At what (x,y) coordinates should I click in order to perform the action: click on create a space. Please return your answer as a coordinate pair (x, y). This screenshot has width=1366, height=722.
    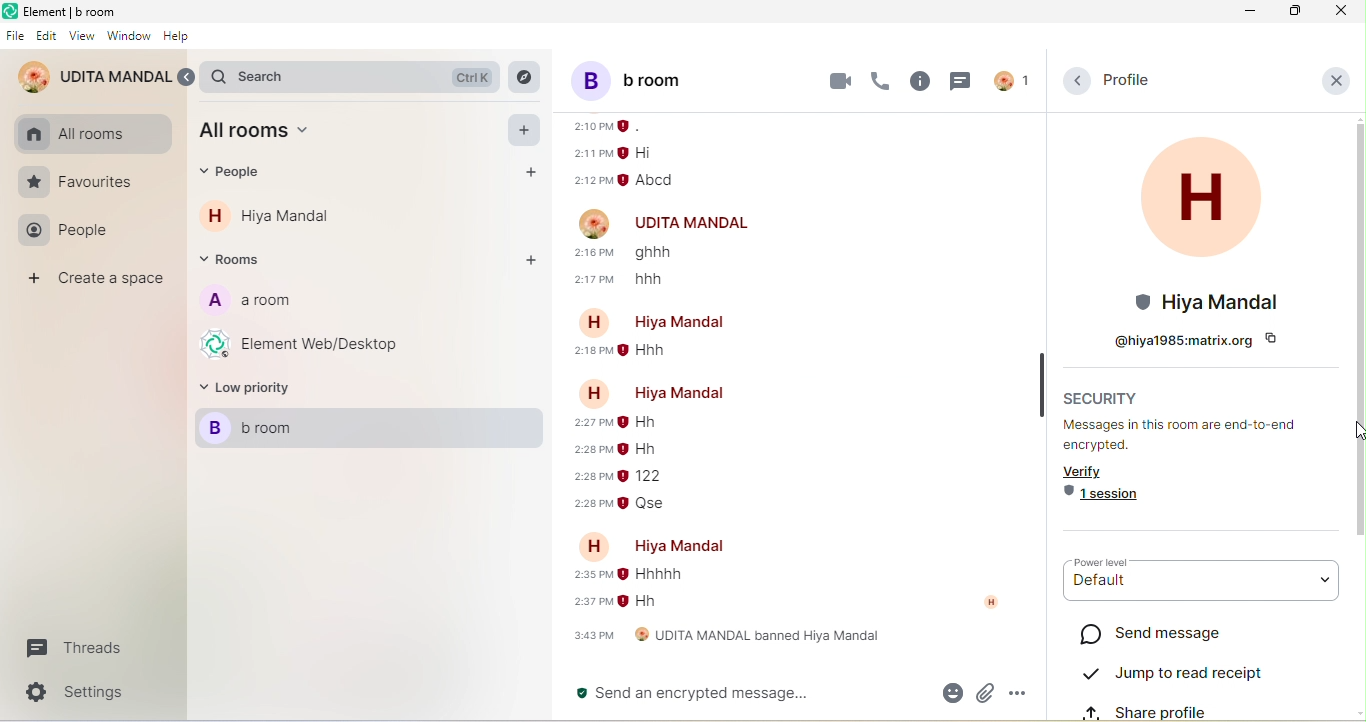
    Looking at the image, I should click on (100, 281).